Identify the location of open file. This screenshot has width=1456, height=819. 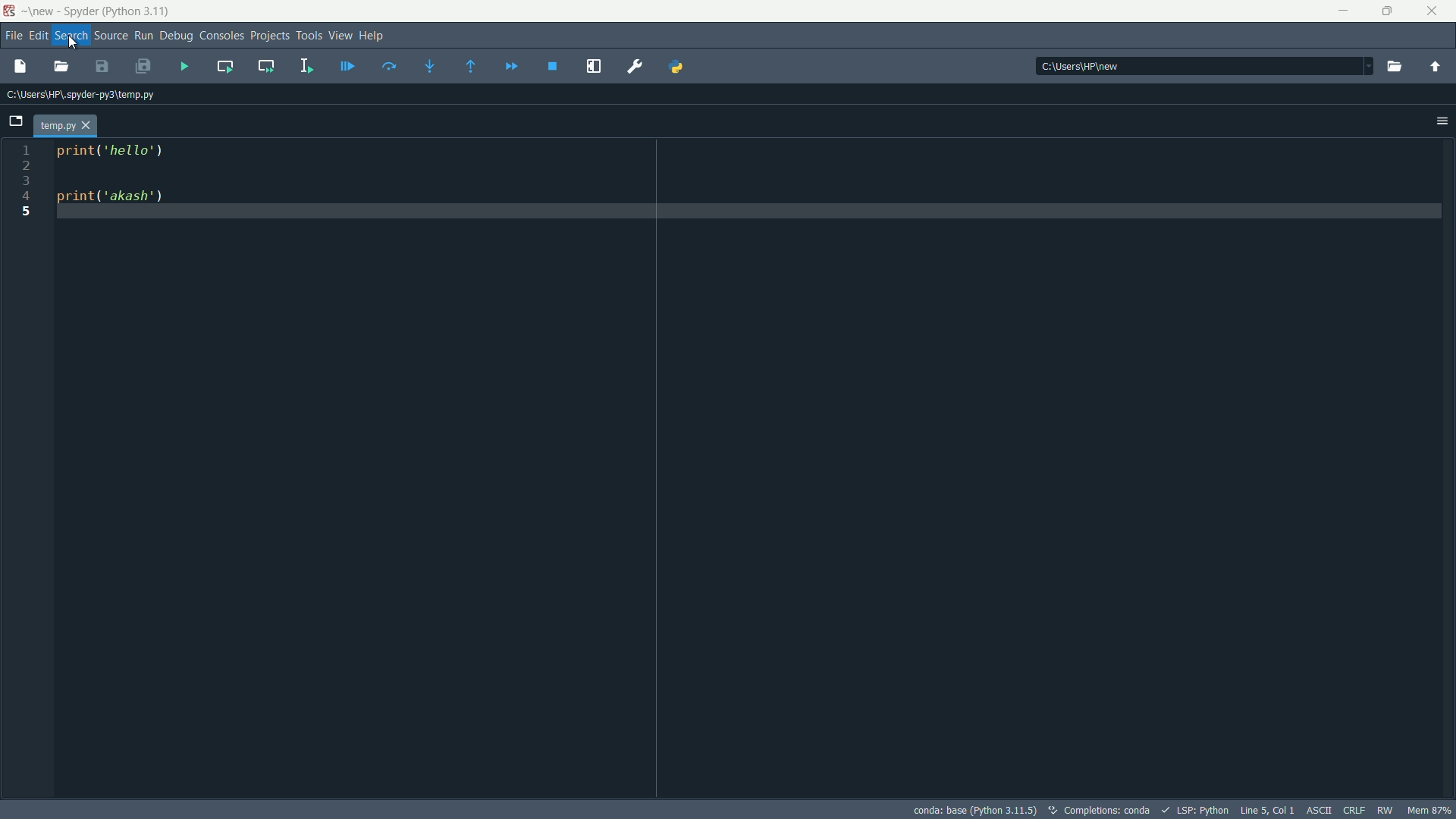
(61, 68).